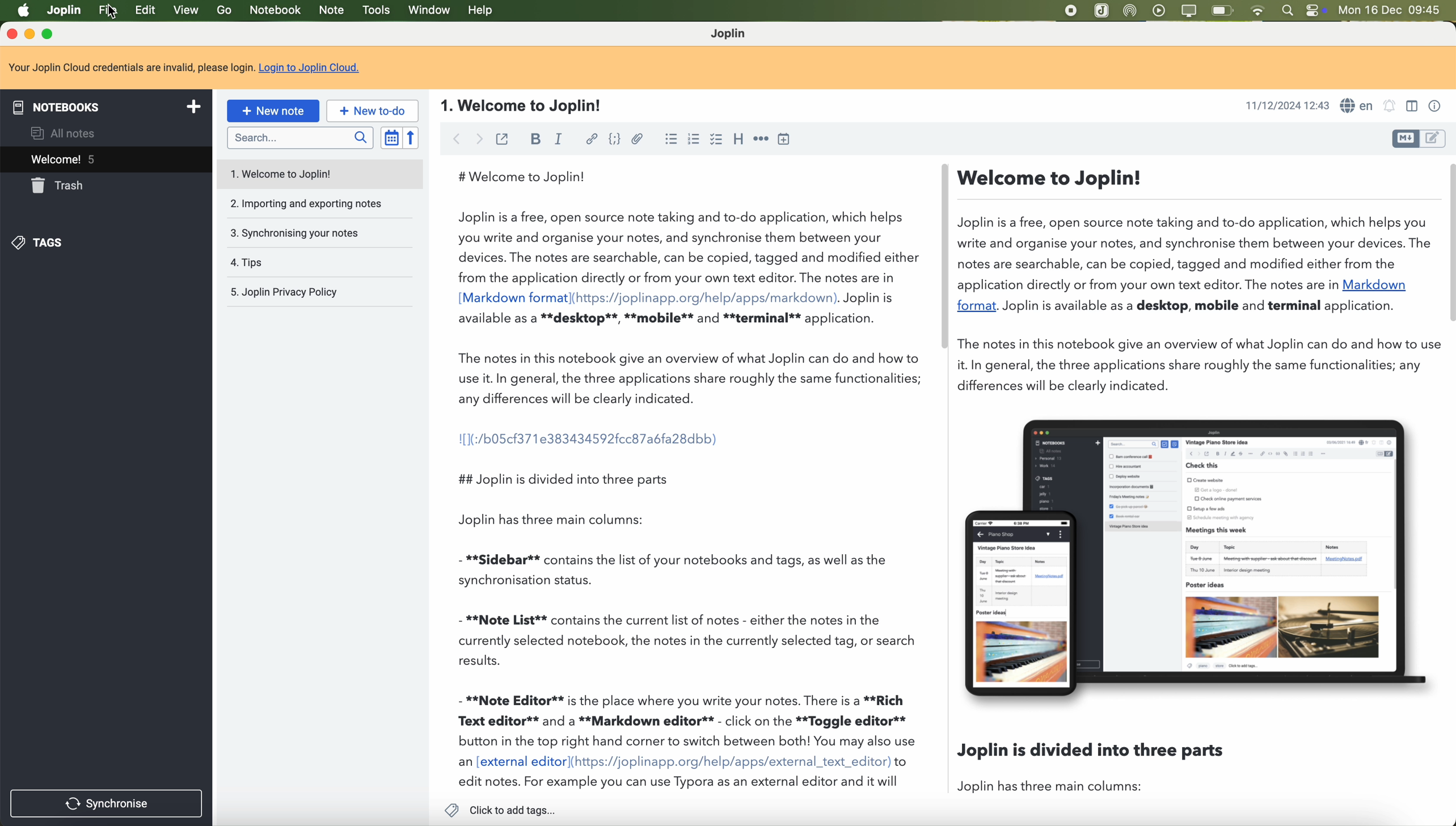  I want to click on available as a **desktop**, **mobile** and **terminal** application., so click(670, 319).